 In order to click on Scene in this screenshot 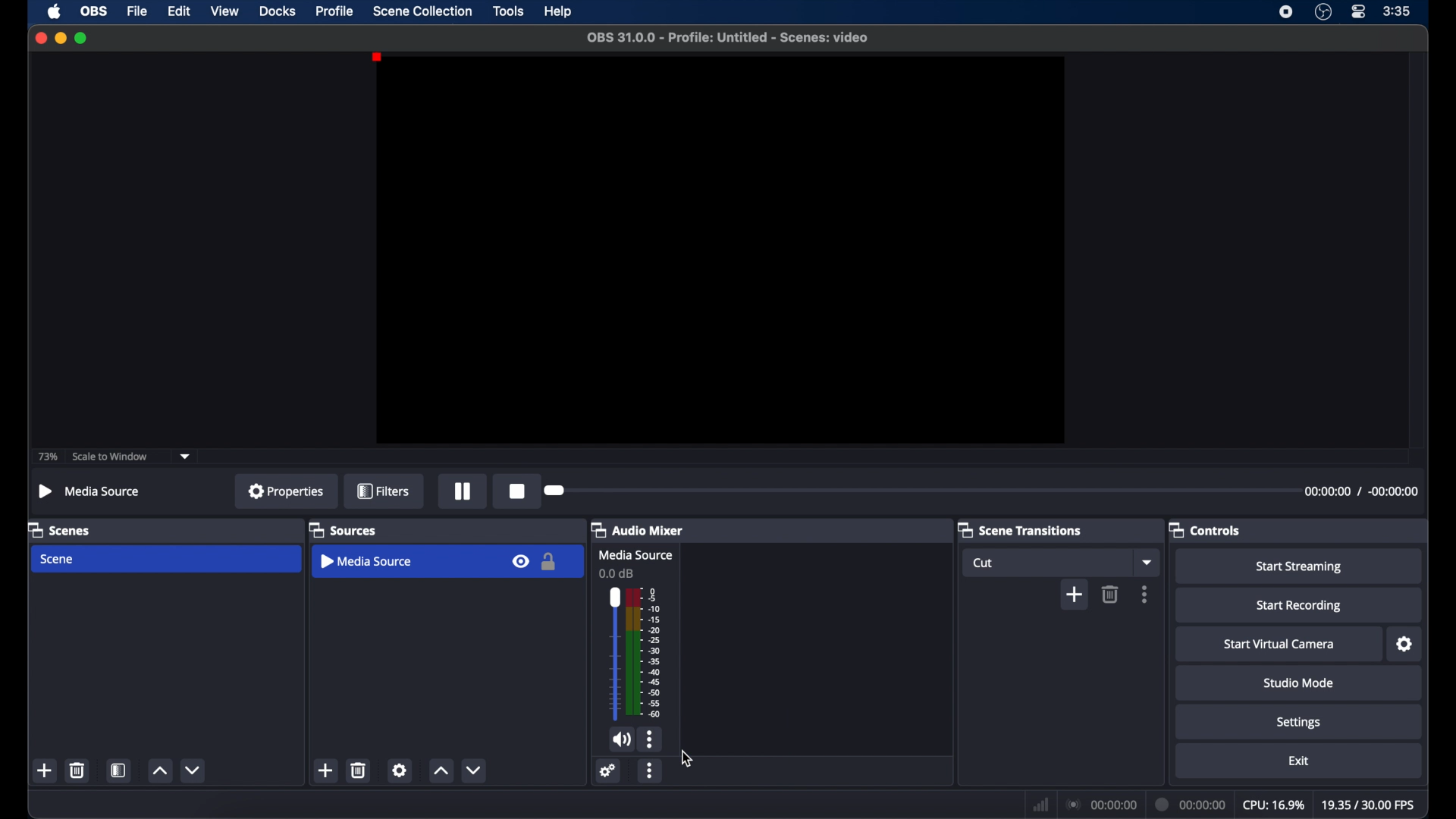, I will do `click(58, 559)`.